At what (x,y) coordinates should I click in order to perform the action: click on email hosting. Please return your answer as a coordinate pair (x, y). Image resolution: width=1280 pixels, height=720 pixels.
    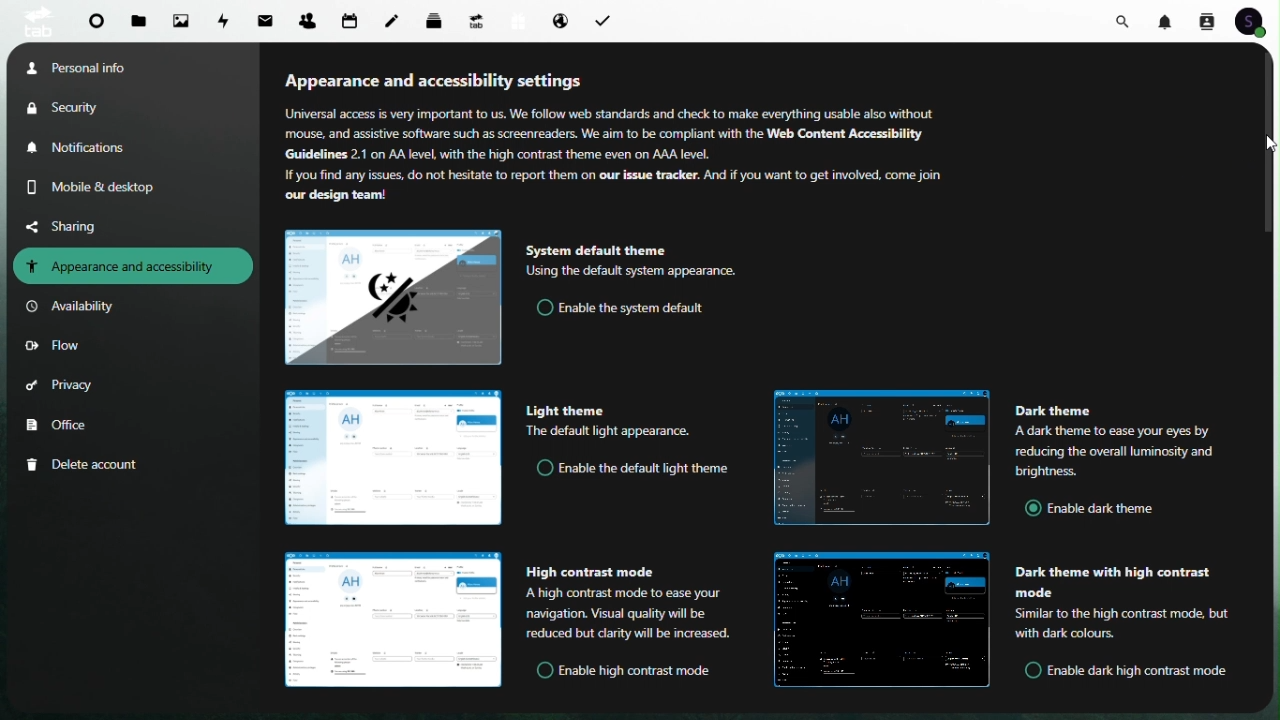
    Looking at the image, I should click on (559, 21).